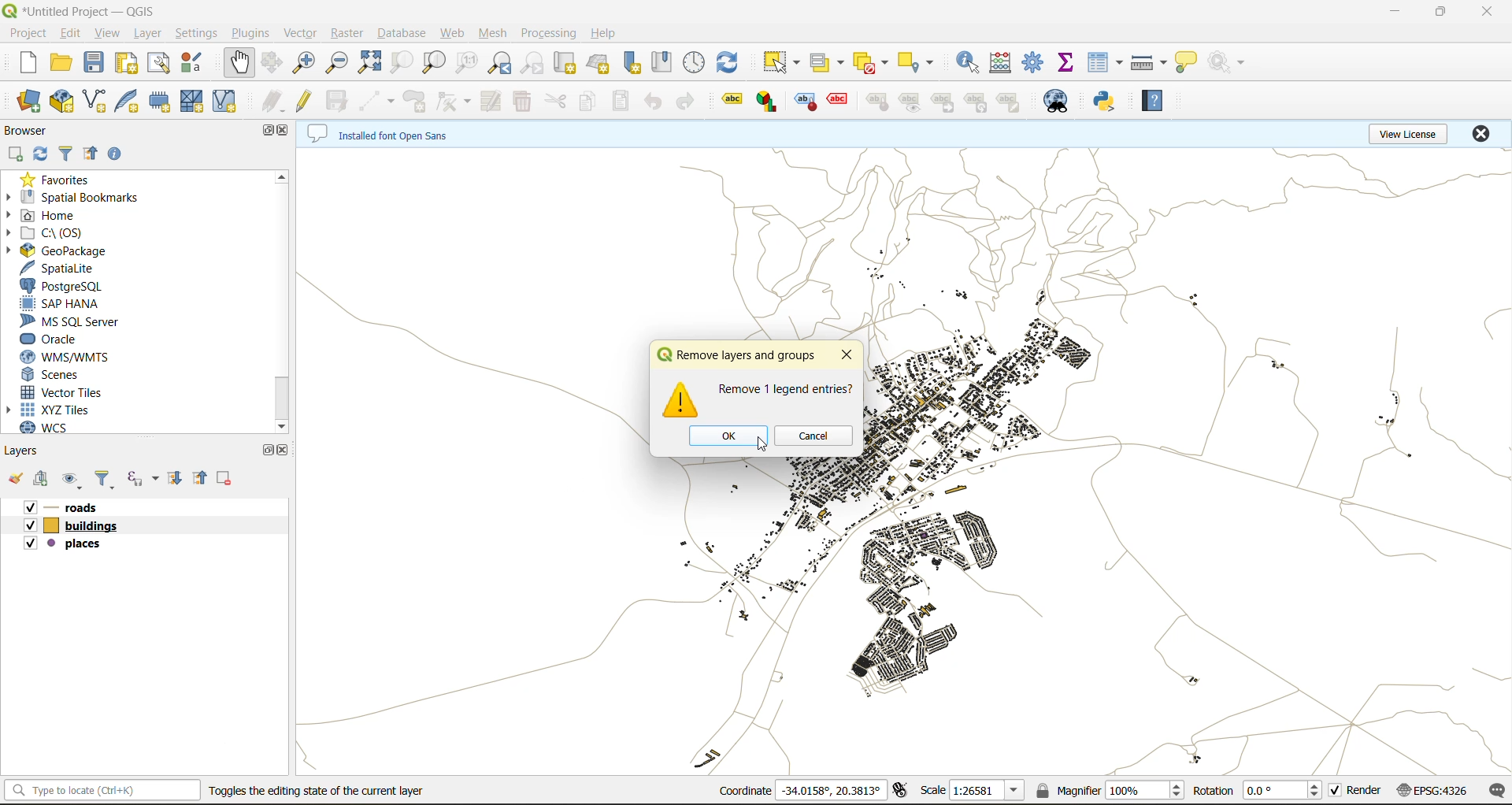 This screenshot has height=805, width=1512. Describe the element at coordinates (274, 132) in the screenshot. I see `maximize` at that location.